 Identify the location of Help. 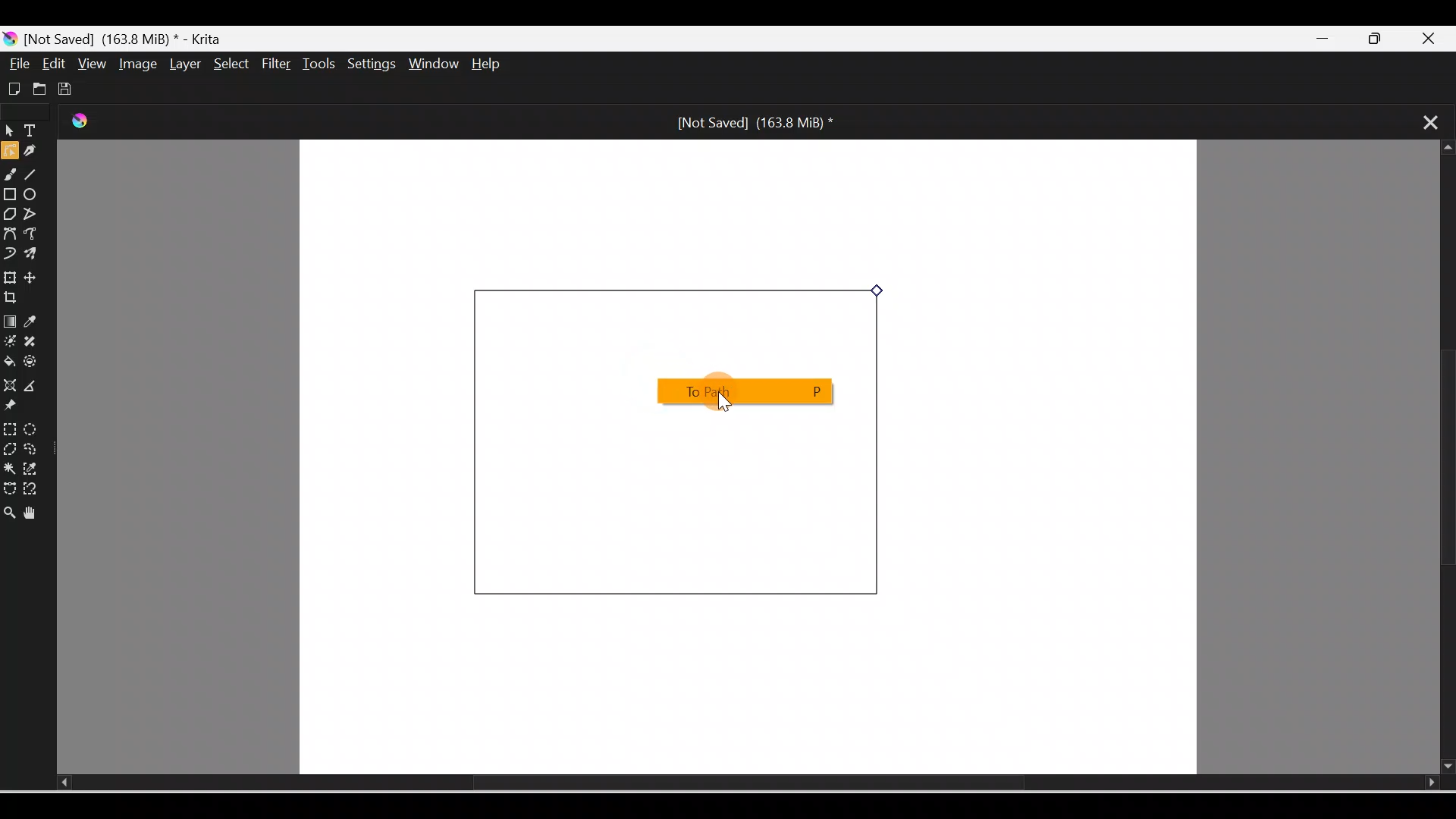
(499, 65).